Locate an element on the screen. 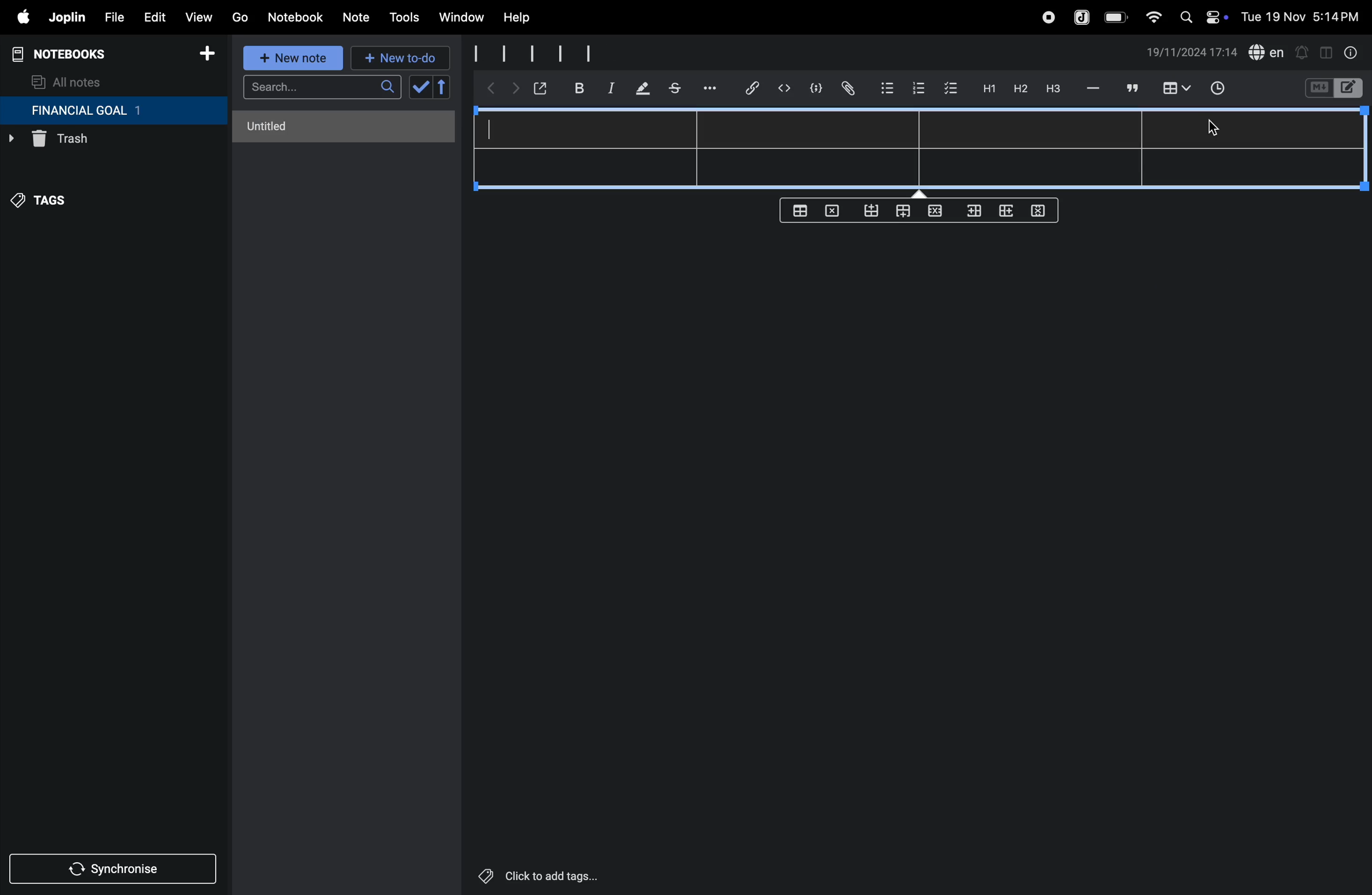 Image resolution: width=1372 pixels, height=895 pixels. new to-do is located at coordinates (401, 59).